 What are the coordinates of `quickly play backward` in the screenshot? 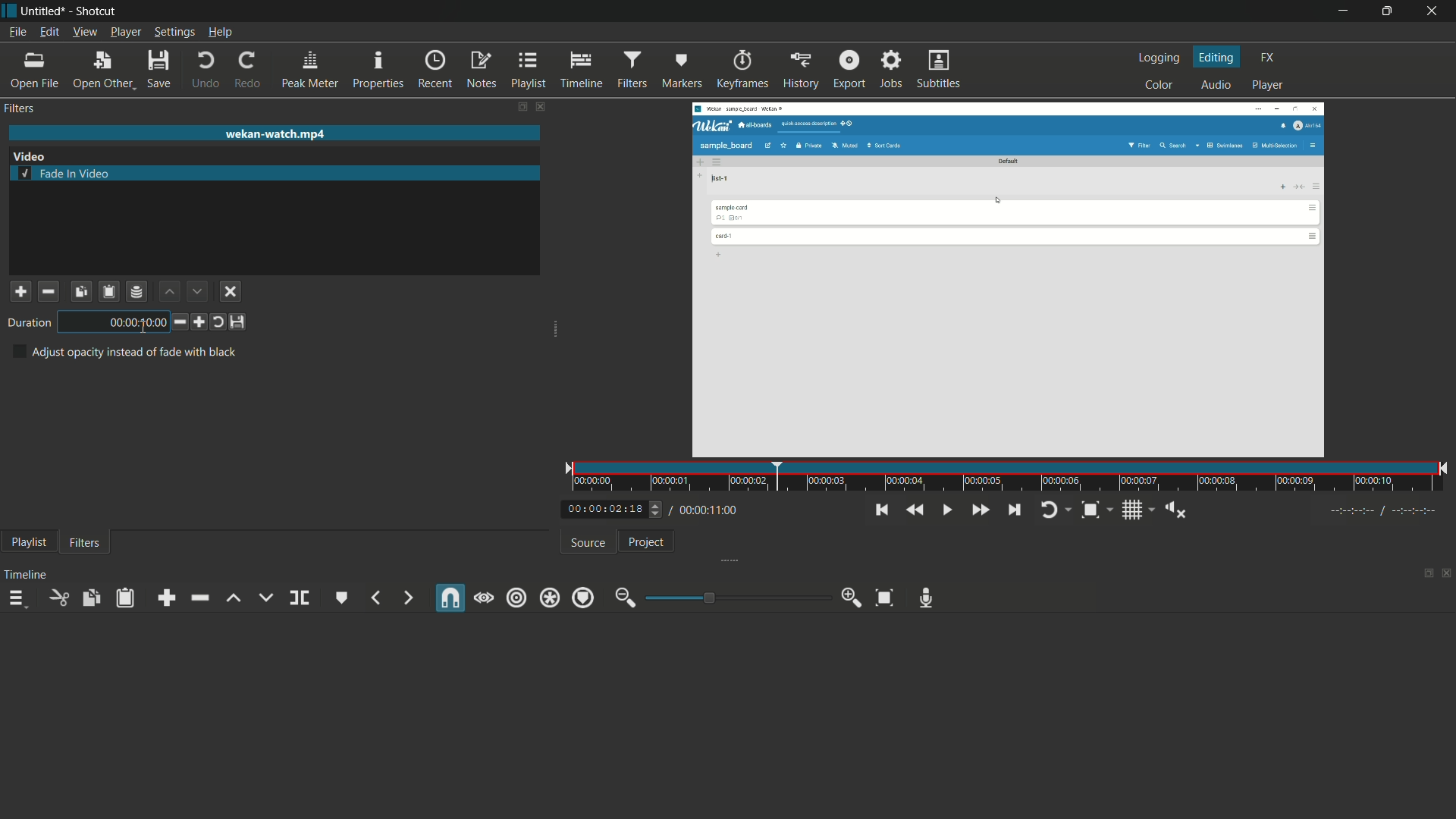 It's located at (913, 510).